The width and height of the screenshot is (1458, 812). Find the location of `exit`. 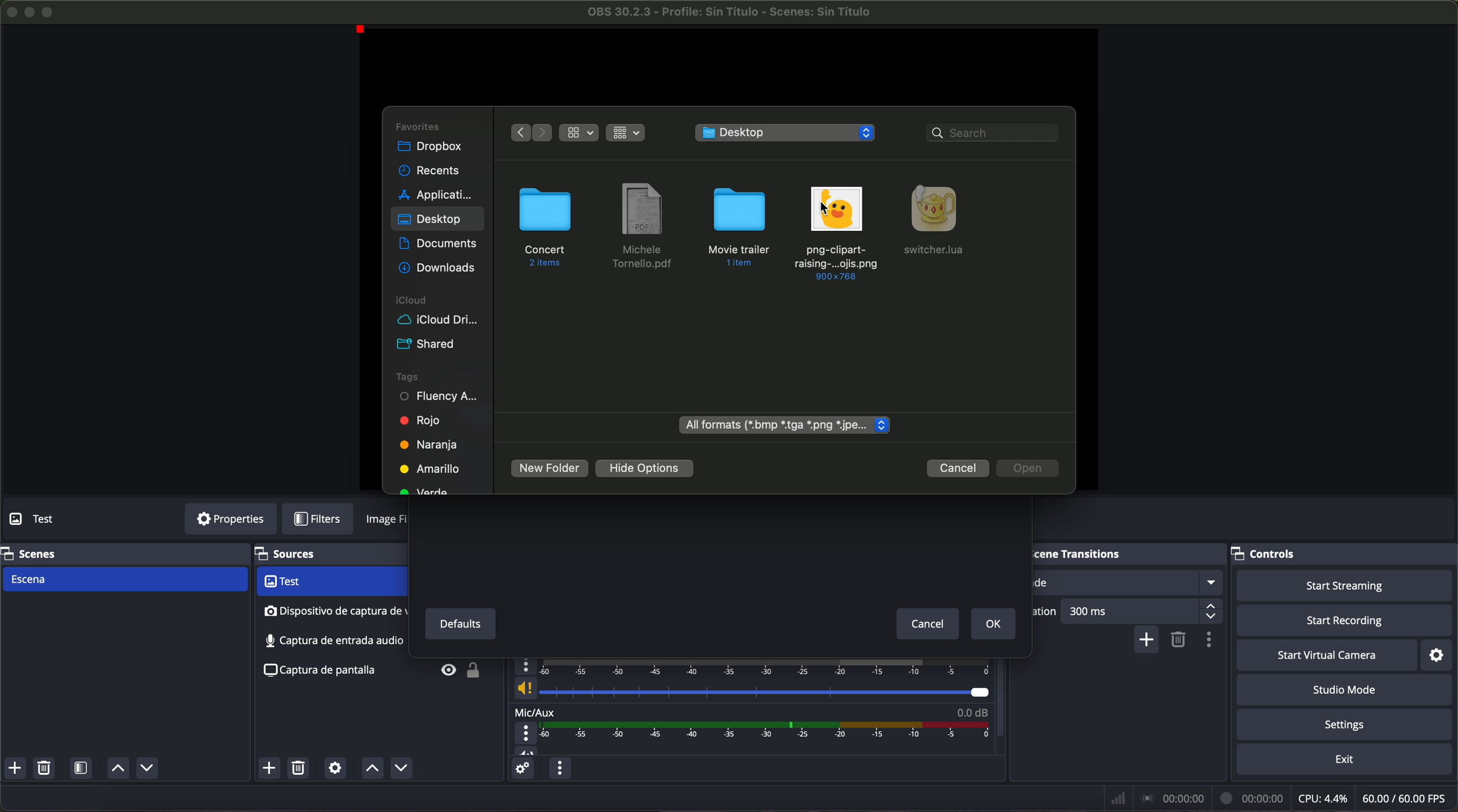

exit is located at coordinates (1346, 761).